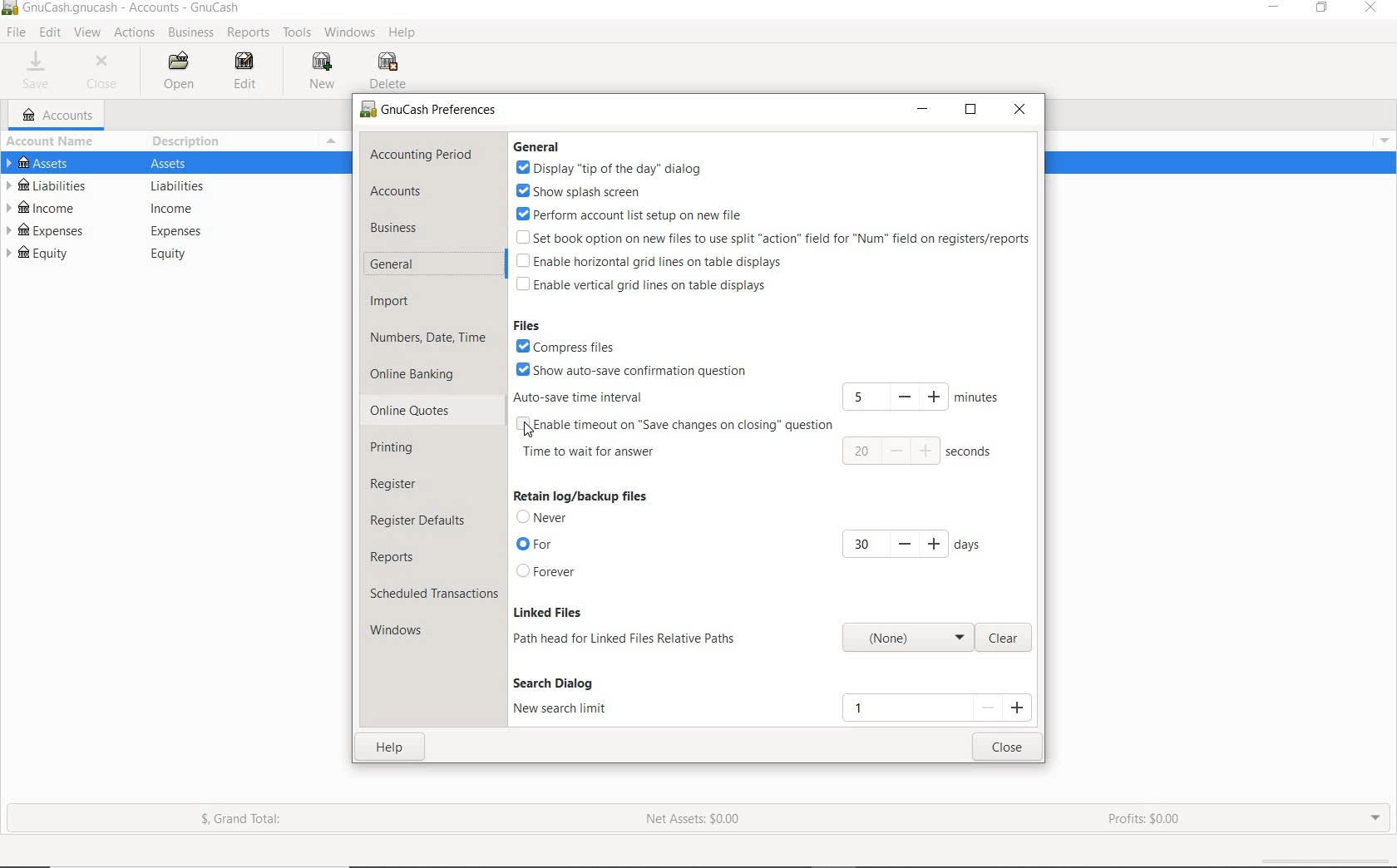 The height and width of the screenshot is (868, 1397). I want to click on REPORTS, so click(396, 559).